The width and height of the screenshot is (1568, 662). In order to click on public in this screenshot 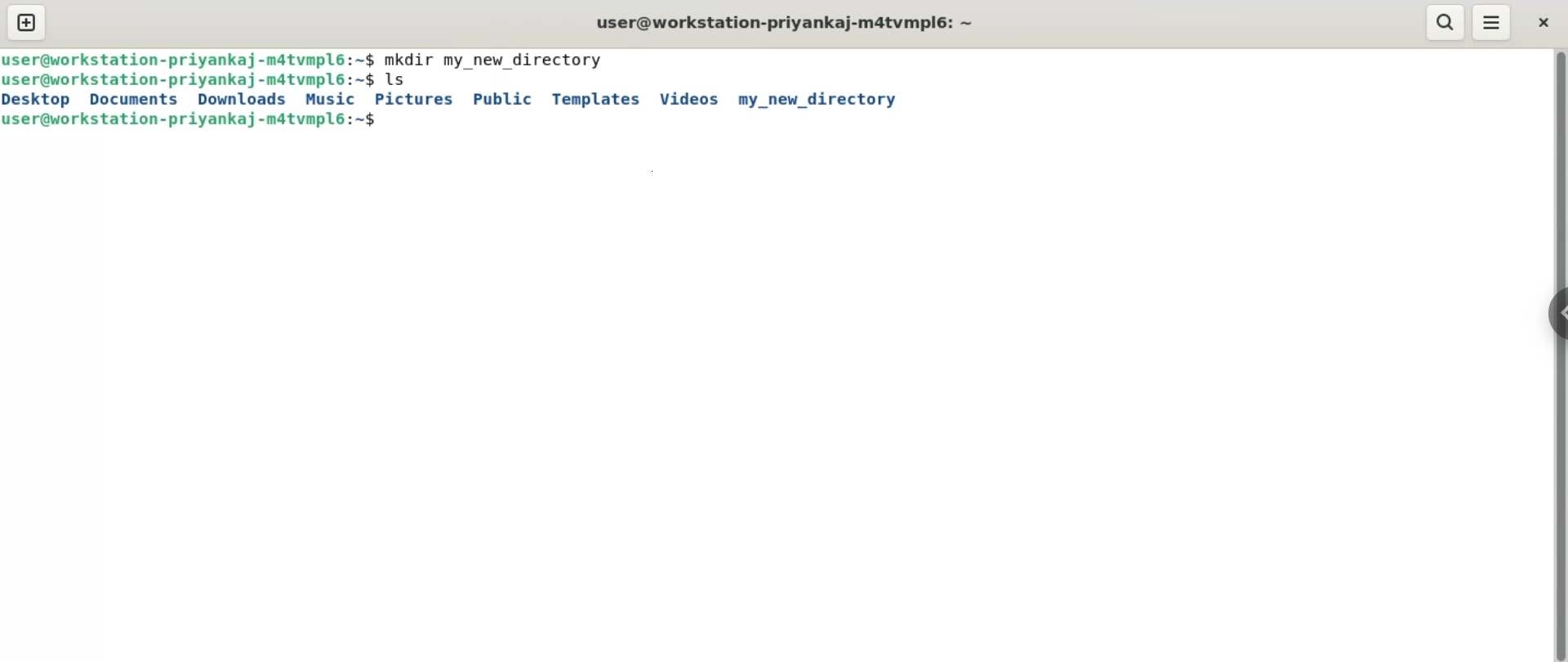, I will do `click(501, 98)`.